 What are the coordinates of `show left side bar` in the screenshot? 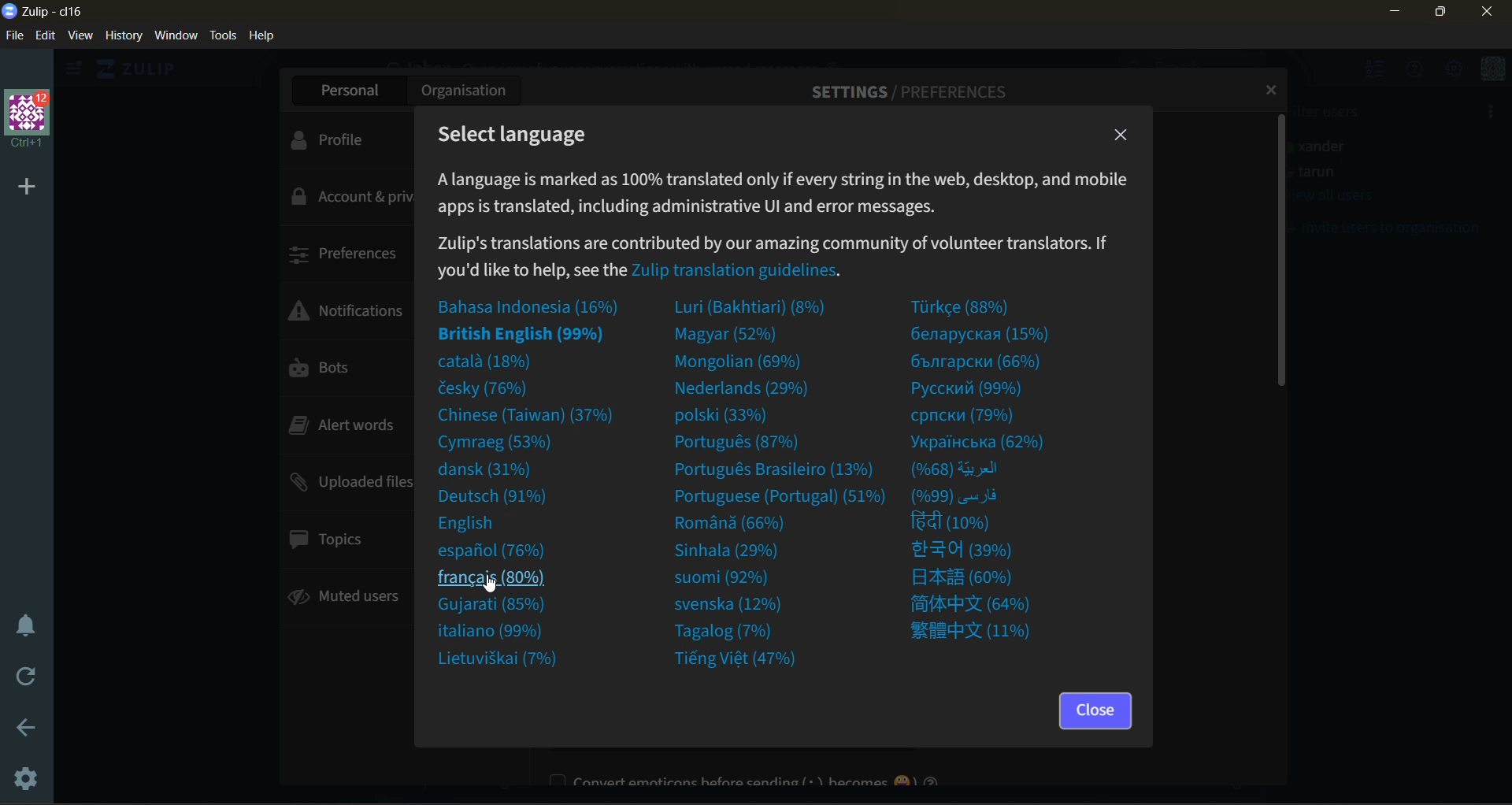 It's located at (73, 69).